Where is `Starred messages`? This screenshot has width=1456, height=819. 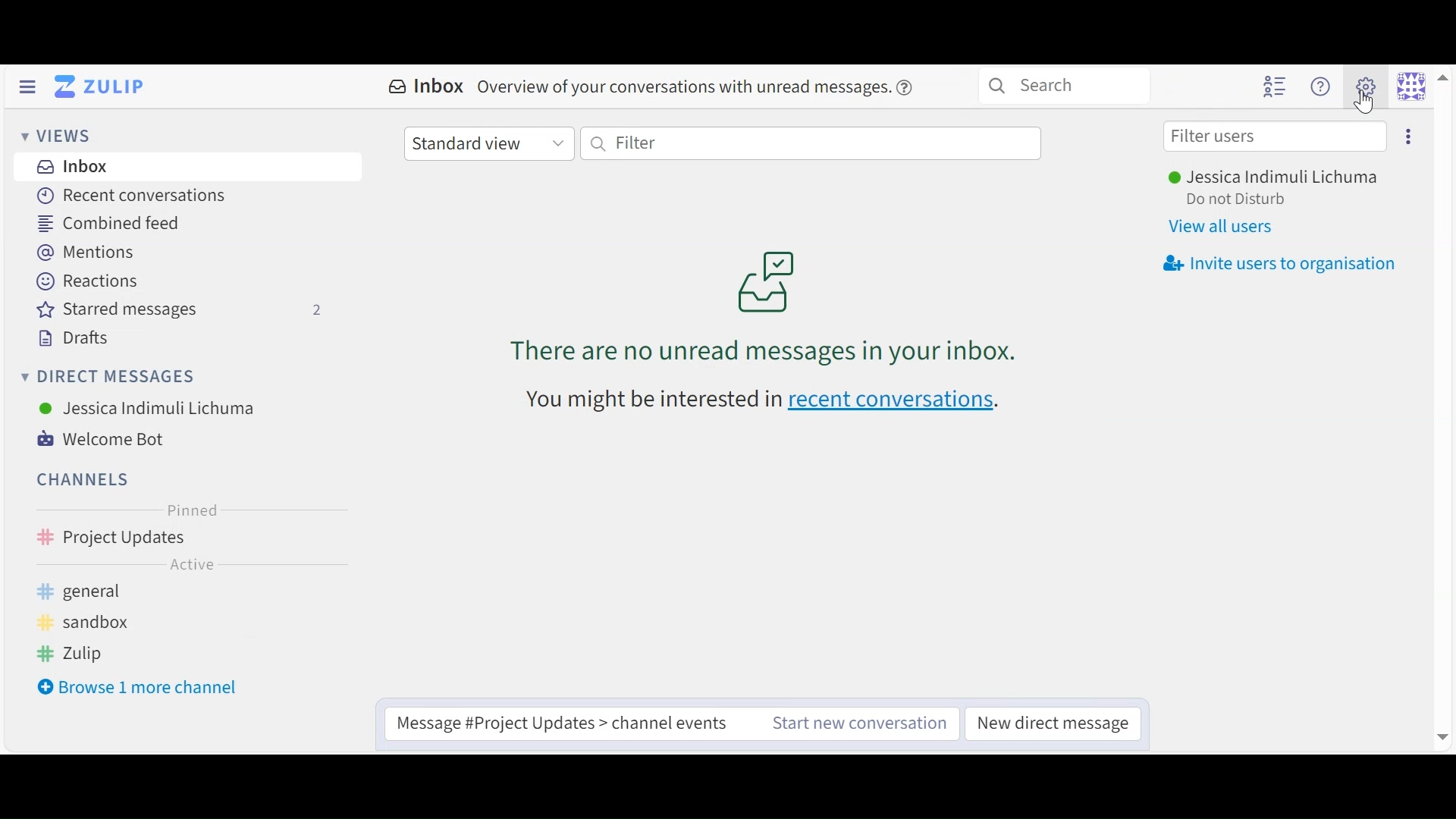
Starred messages is located at coordinates (188, 310).